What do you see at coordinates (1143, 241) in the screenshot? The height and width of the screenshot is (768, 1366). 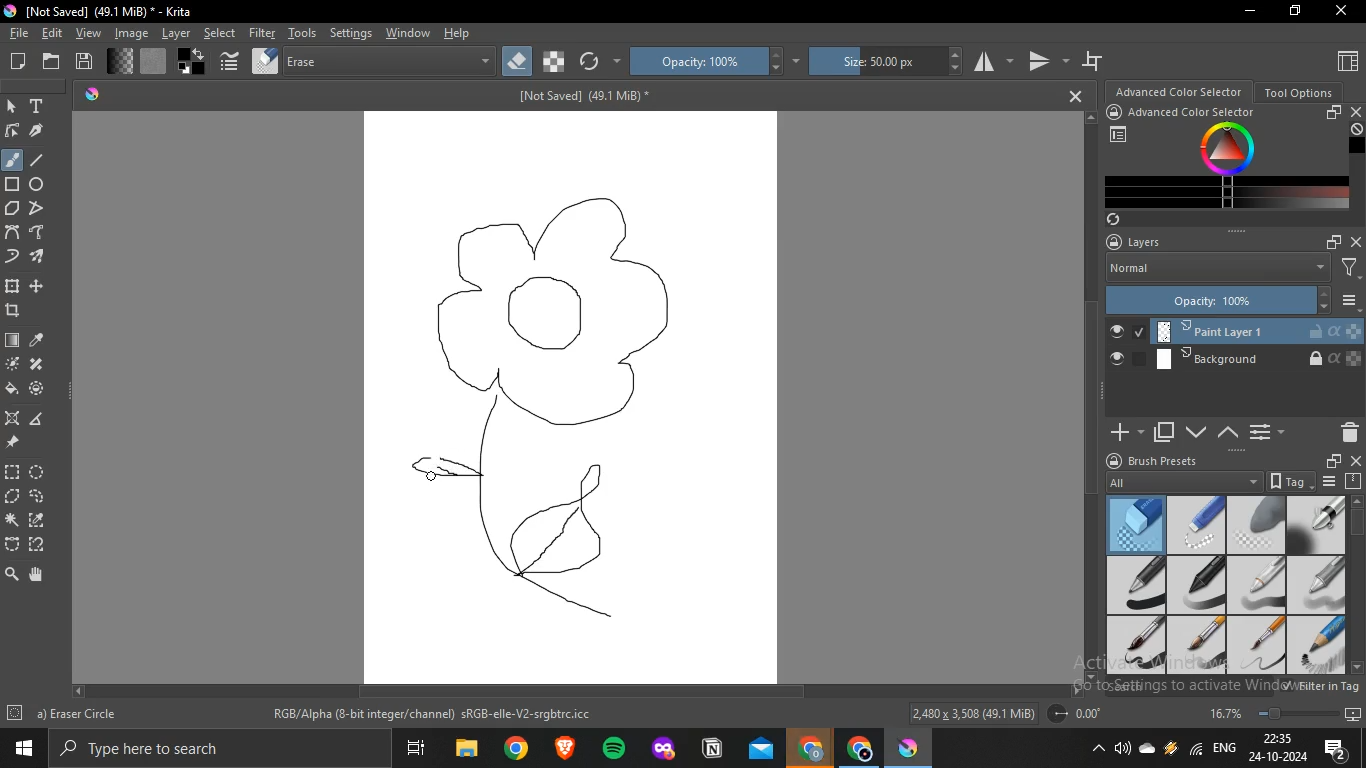 I see `layers` at bounding box center [1143, 241].